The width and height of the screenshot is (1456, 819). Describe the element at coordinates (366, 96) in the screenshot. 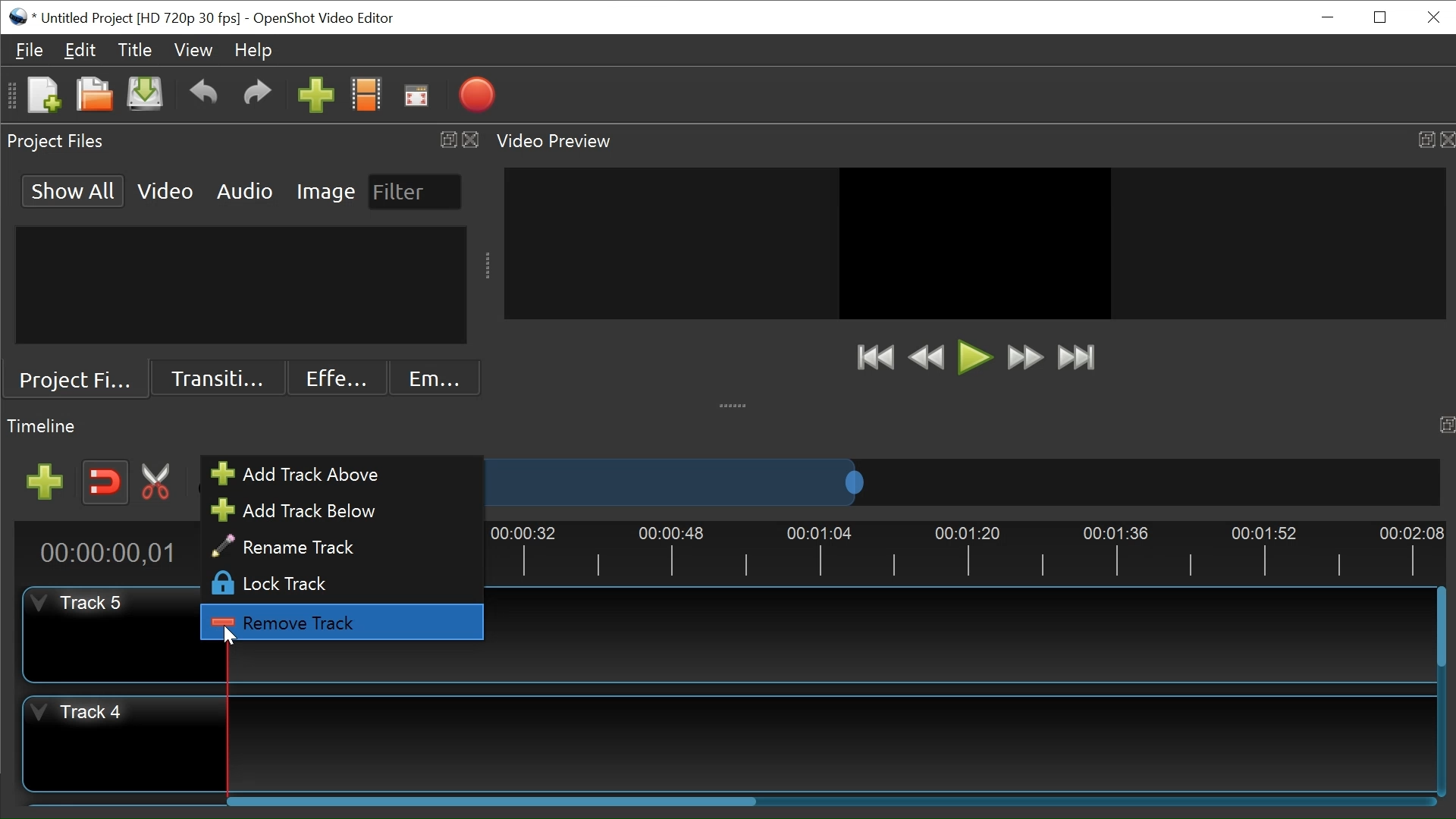

I see `Choose Profile` at that location.